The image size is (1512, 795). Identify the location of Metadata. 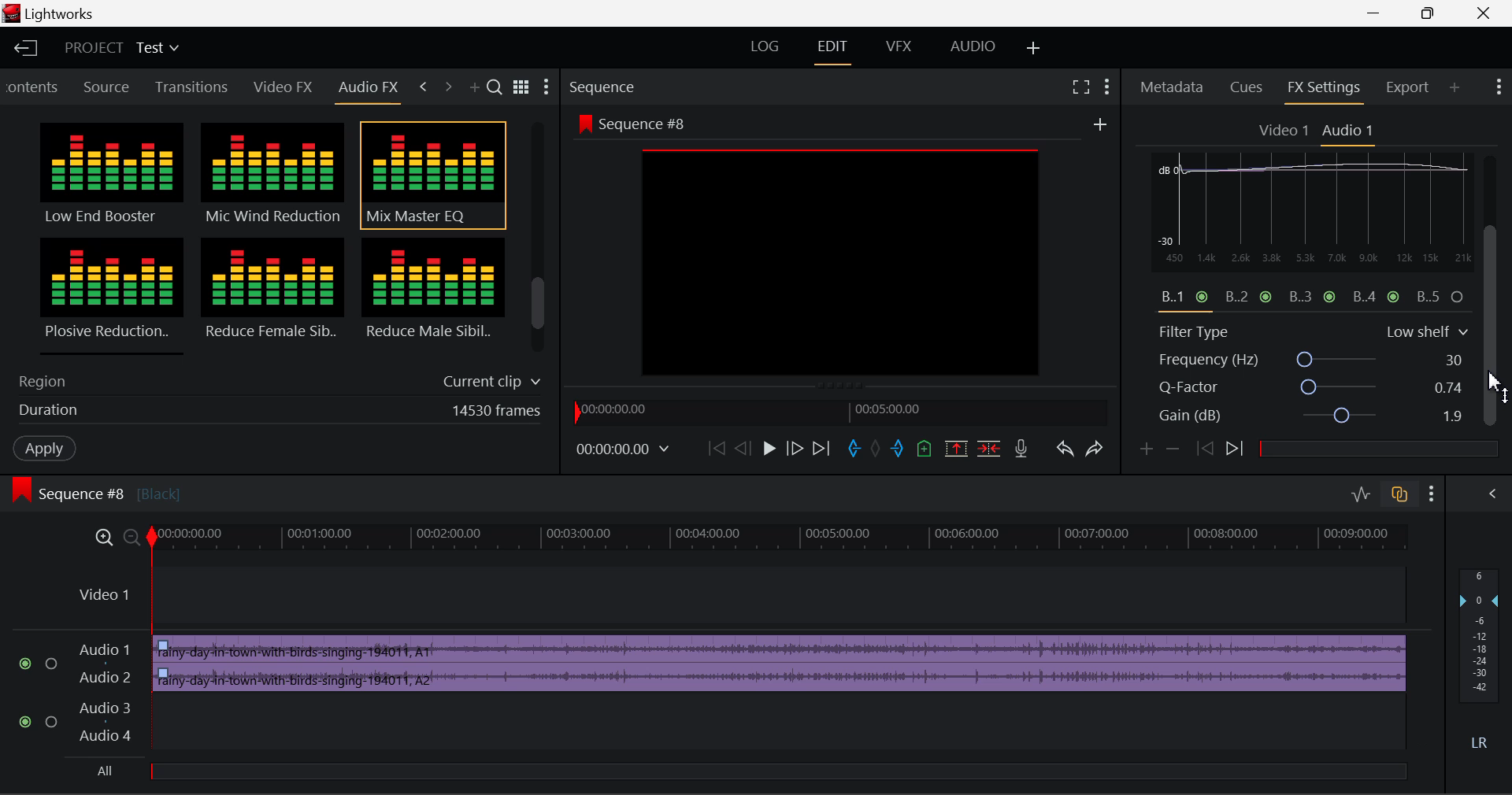
(1173, 89).